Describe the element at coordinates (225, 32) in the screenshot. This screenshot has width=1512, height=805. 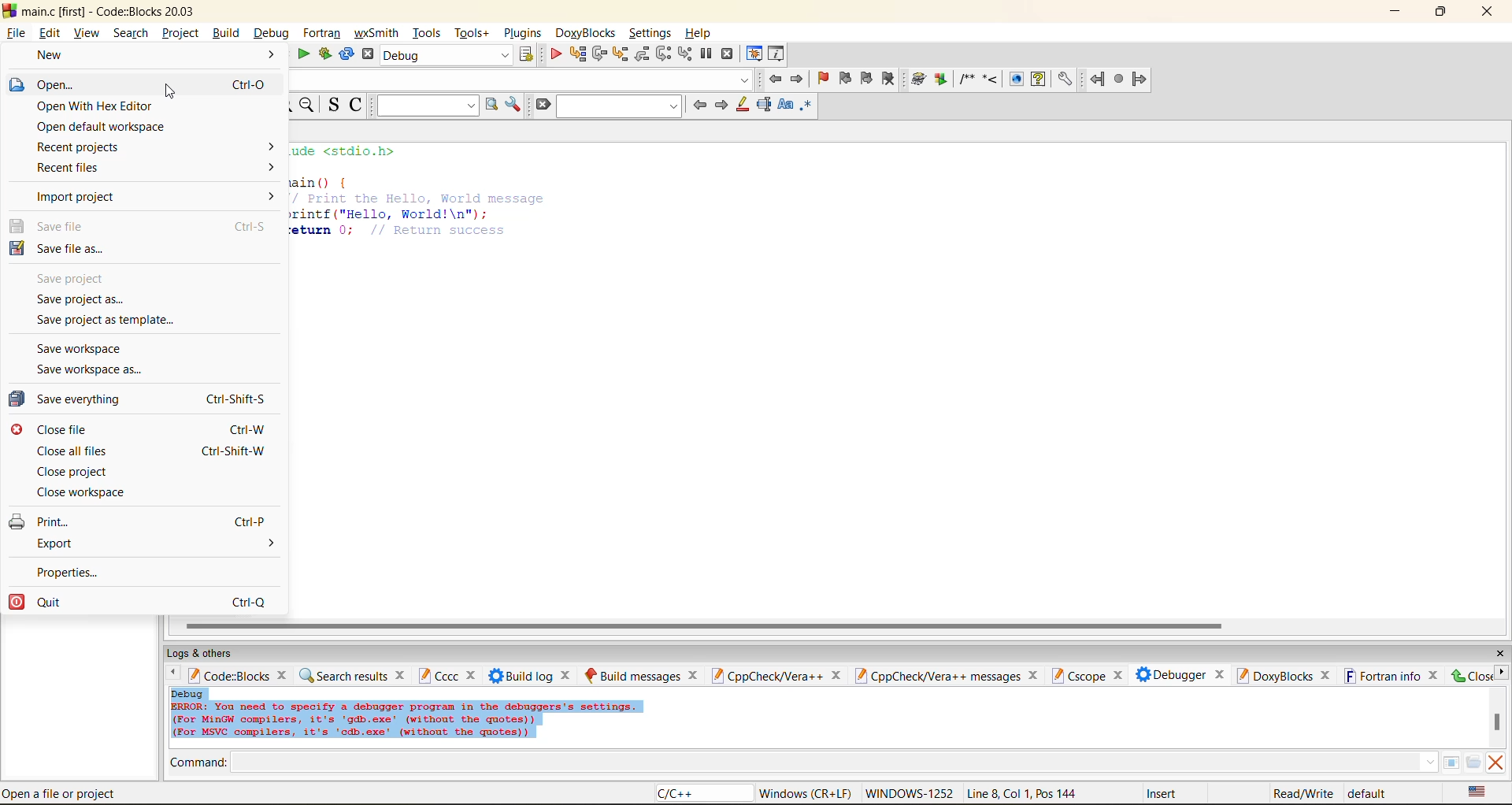
I see `build` at that location.